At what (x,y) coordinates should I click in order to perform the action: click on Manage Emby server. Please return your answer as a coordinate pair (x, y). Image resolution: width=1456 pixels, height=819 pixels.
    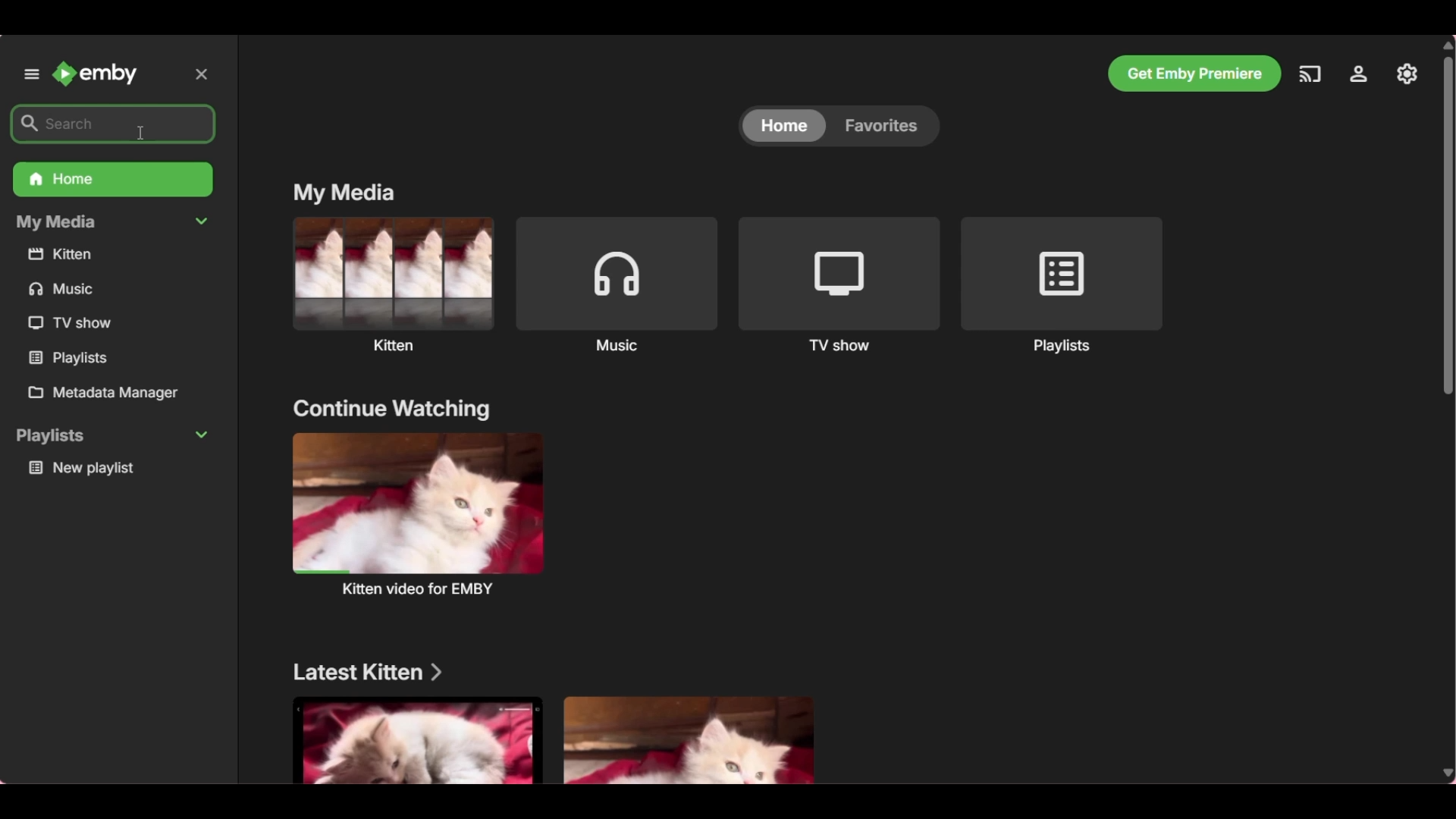
    Looking at the image, I should click on (1360, 74).